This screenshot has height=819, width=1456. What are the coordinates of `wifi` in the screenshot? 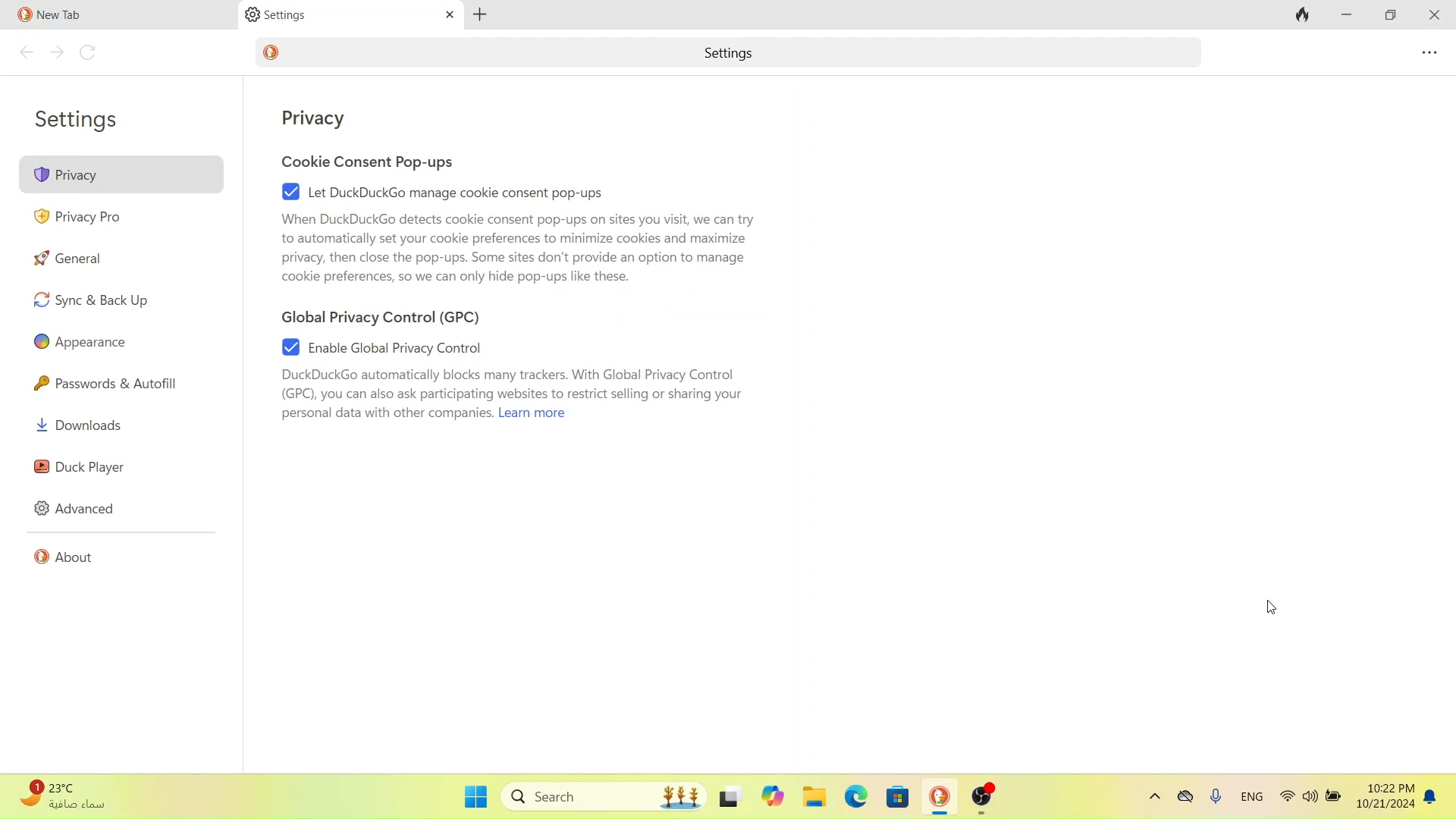 It's located at (1286, 802).